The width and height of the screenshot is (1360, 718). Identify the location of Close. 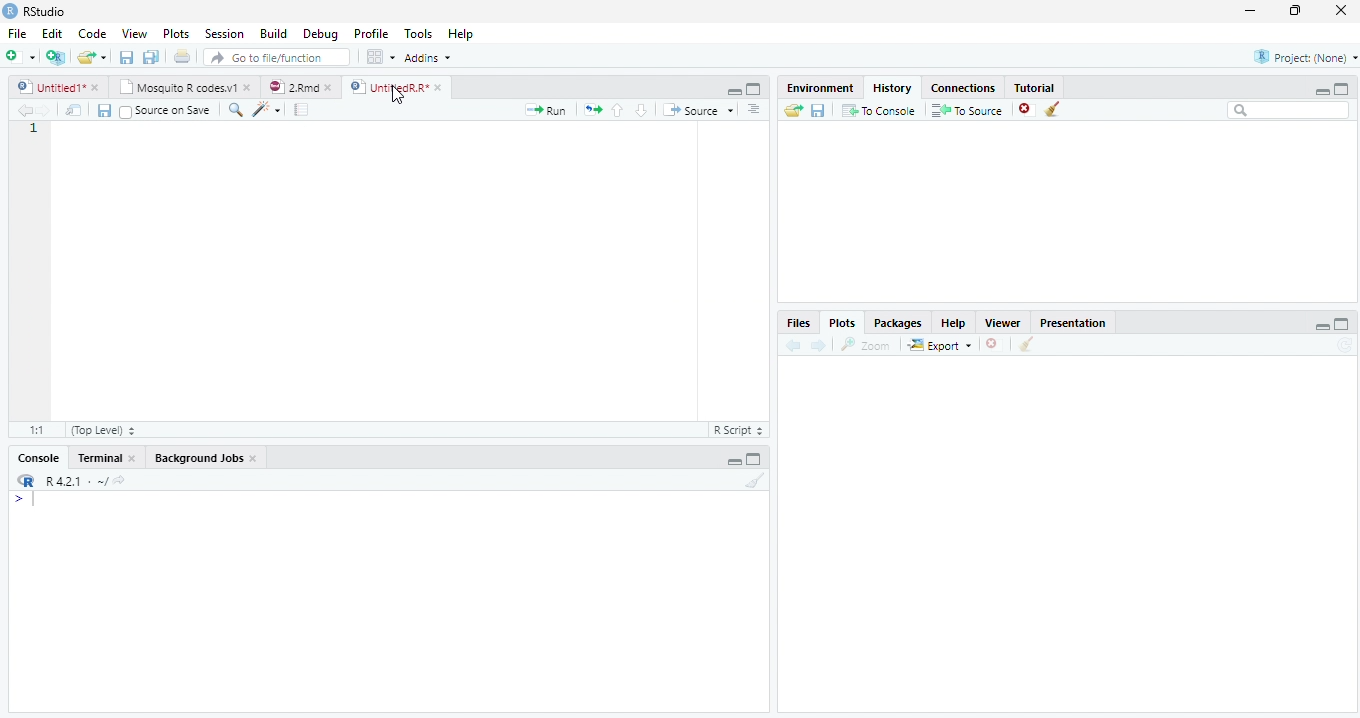
(1340, 11).